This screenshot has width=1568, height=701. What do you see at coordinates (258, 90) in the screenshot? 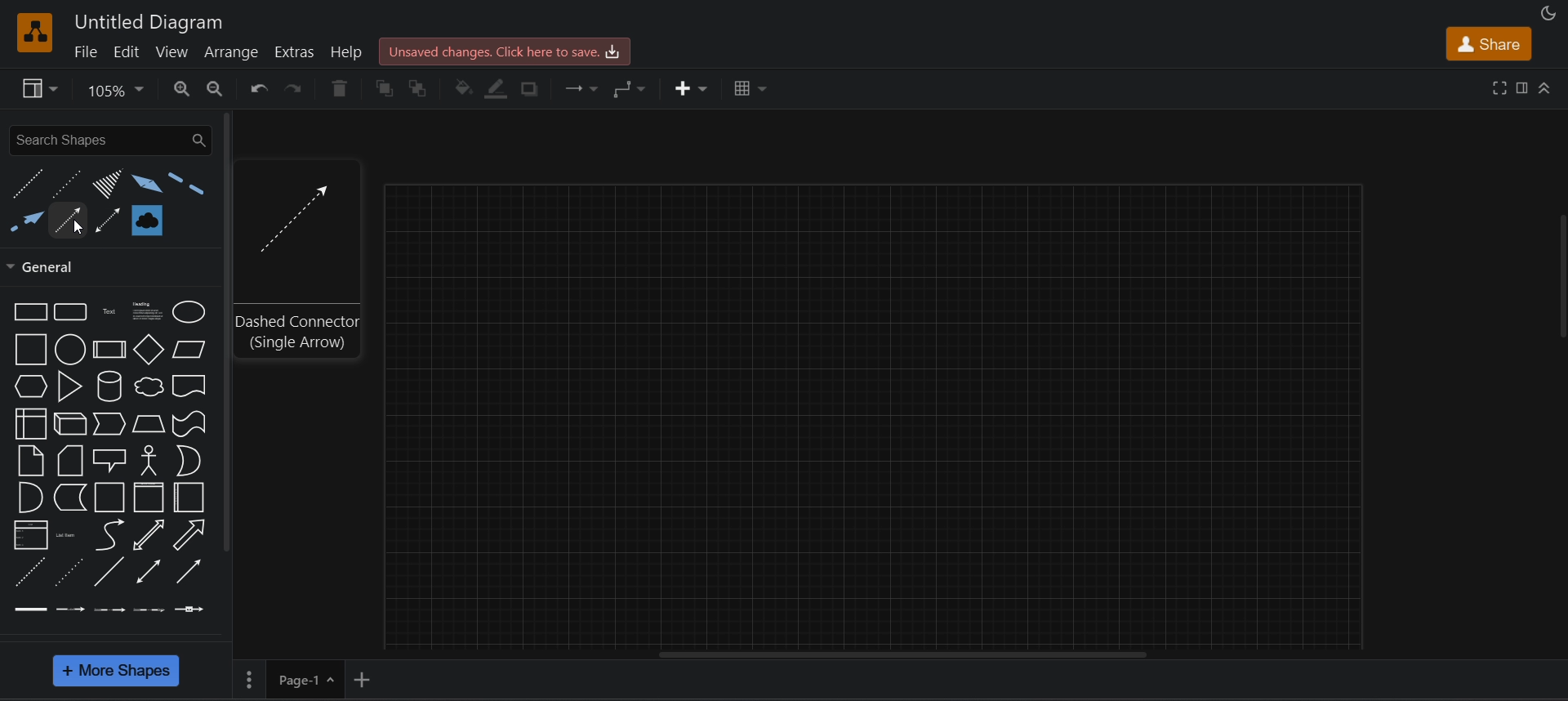
I see `undo` at bounding box center [258, 90].